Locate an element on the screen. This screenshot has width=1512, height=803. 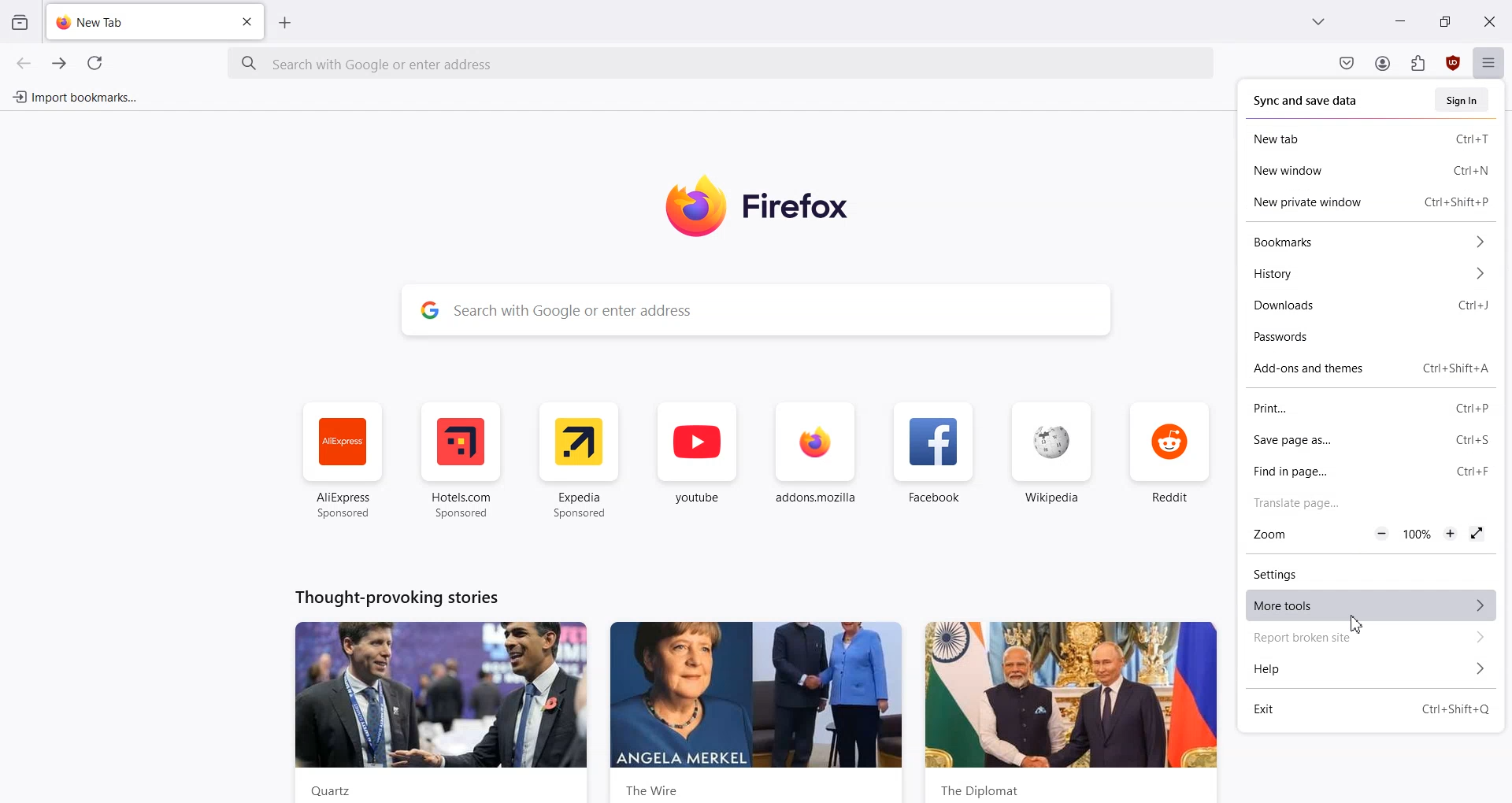
Account is located at coordinates (1382, 64).